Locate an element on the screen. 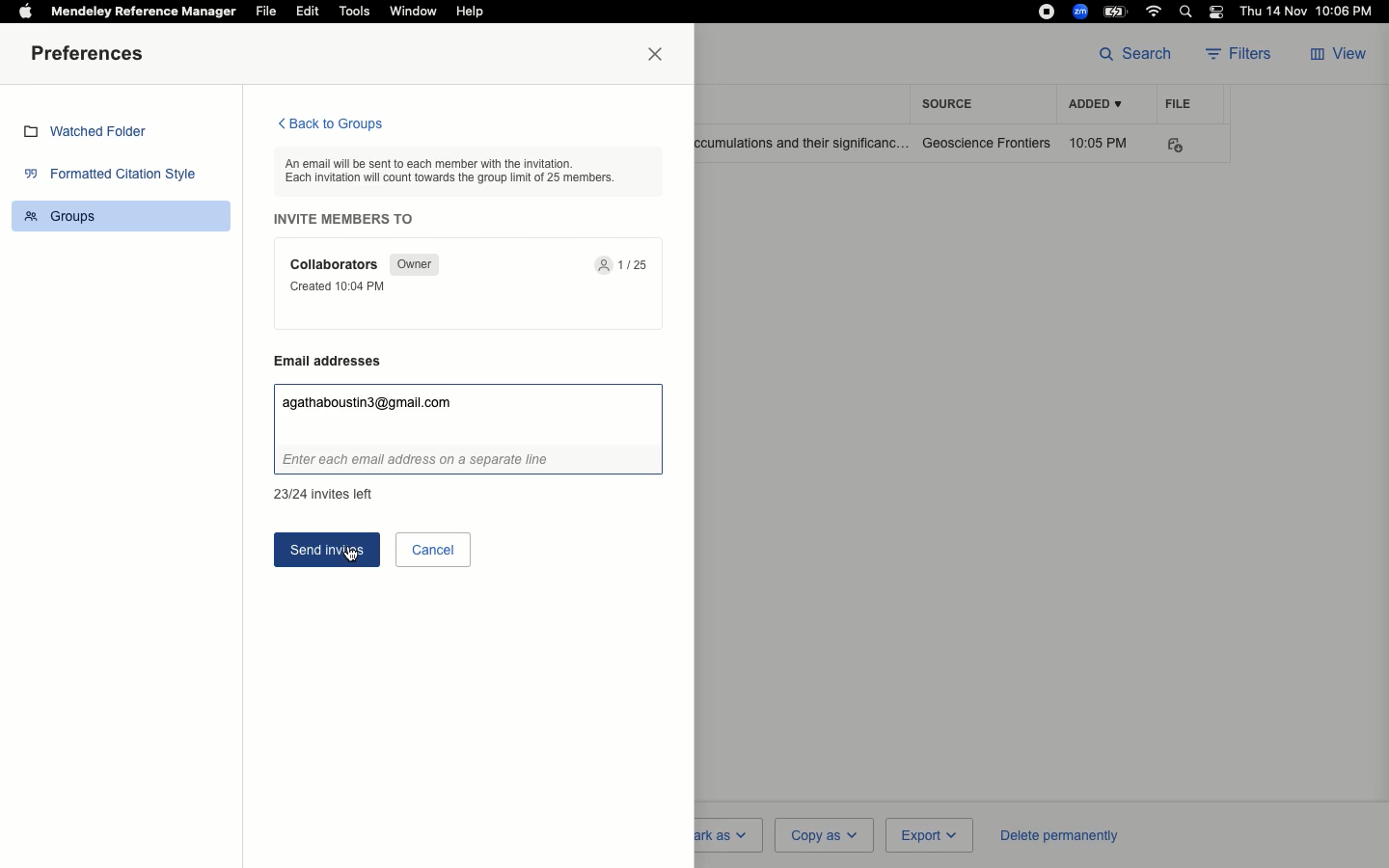 The width and height of the screenshot is (1389, 868). Search is located at coordinates (1188, 14).